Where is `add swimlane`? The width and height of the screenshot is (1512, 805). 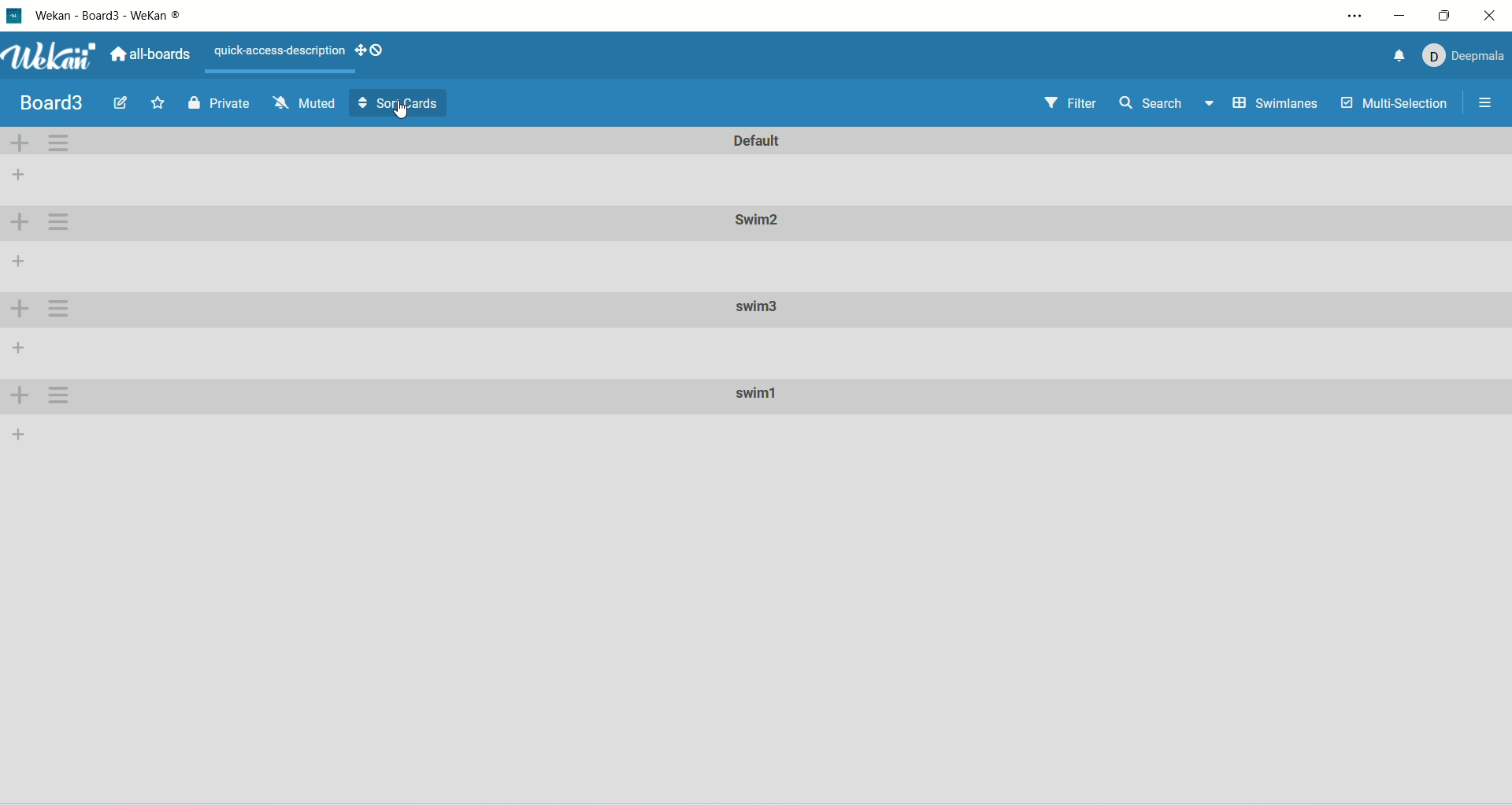 add swimlane is located at coordinates (20, 221).